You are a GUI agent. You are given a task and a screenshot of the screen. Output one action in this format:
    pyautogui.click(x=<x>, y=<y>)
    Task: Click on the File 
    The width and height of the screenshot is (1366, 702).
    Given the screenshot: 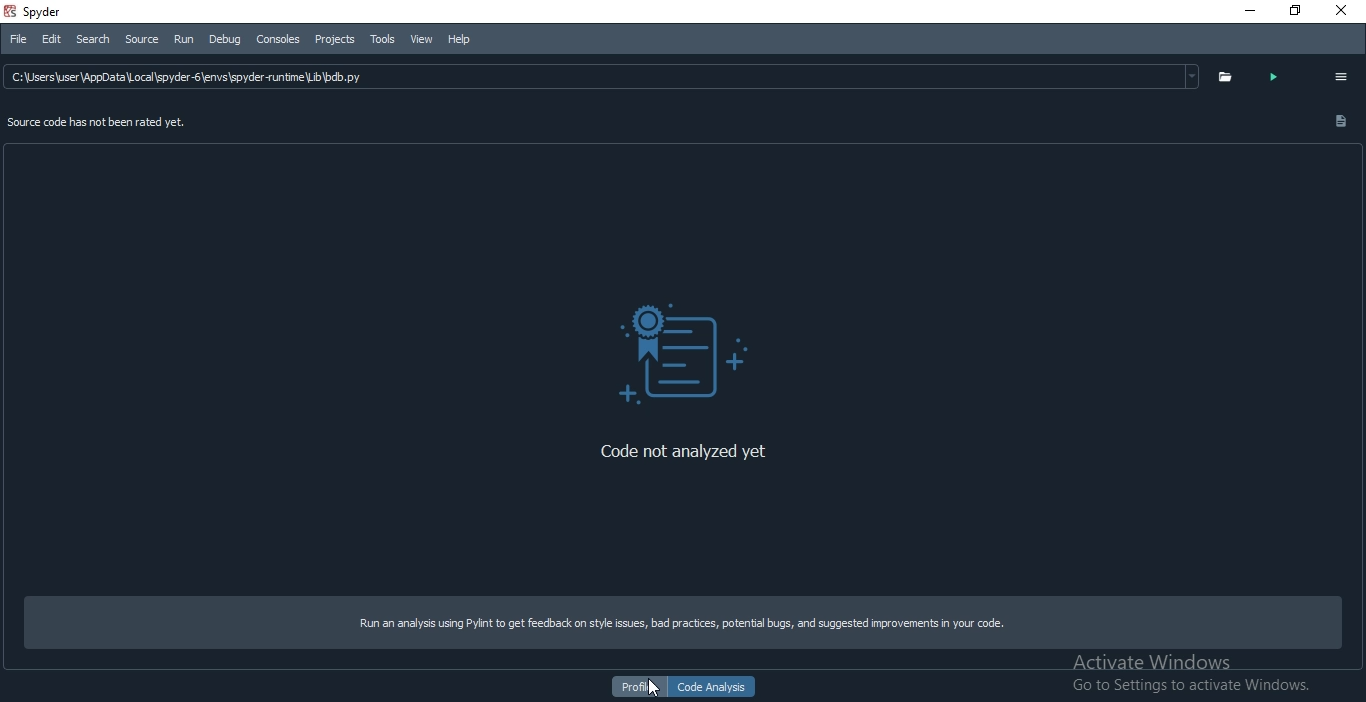 What is the action you would take?
    pyautogui.click(x=16, y=38)
    